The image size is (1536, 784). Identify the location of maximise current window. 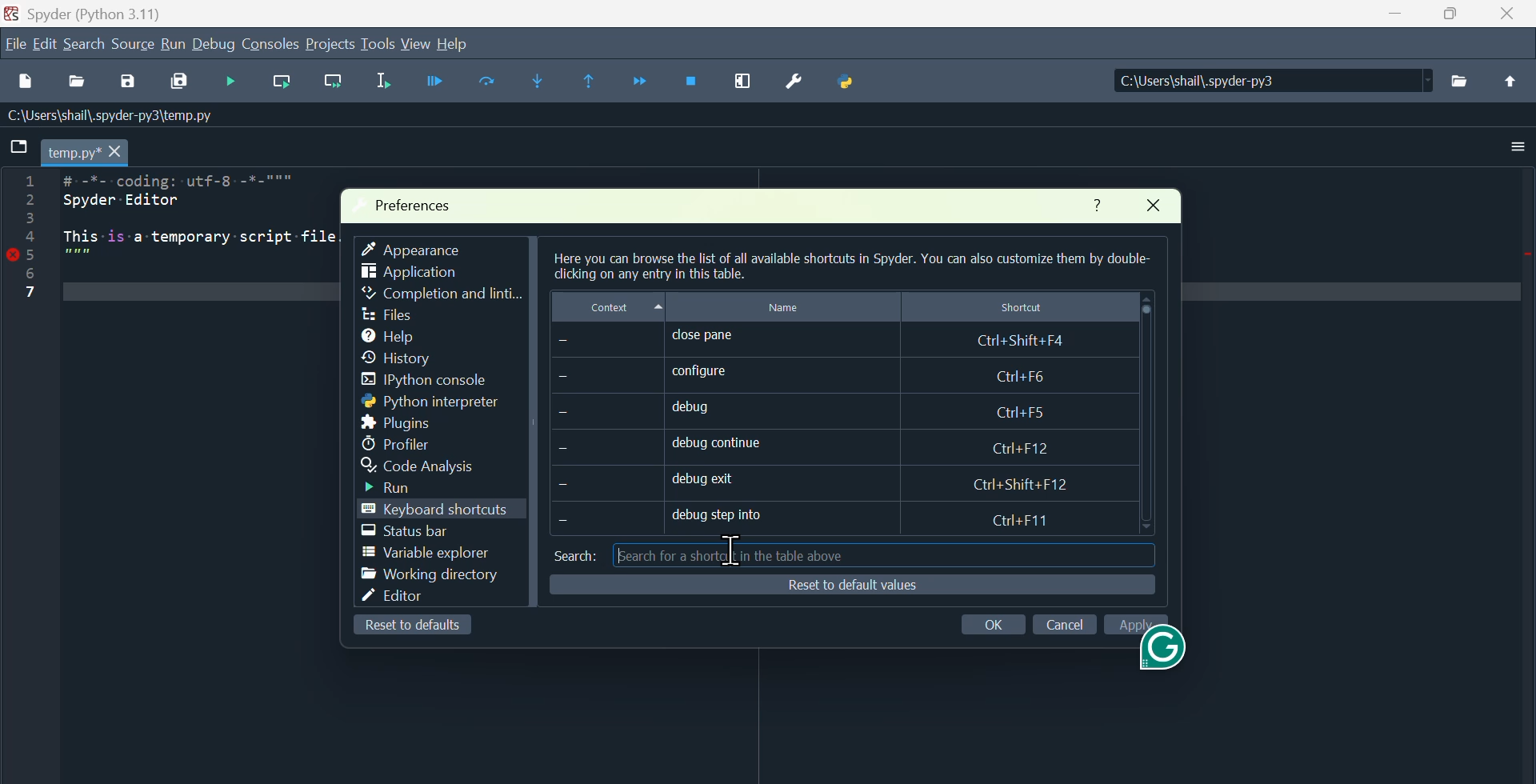
(753, 84).